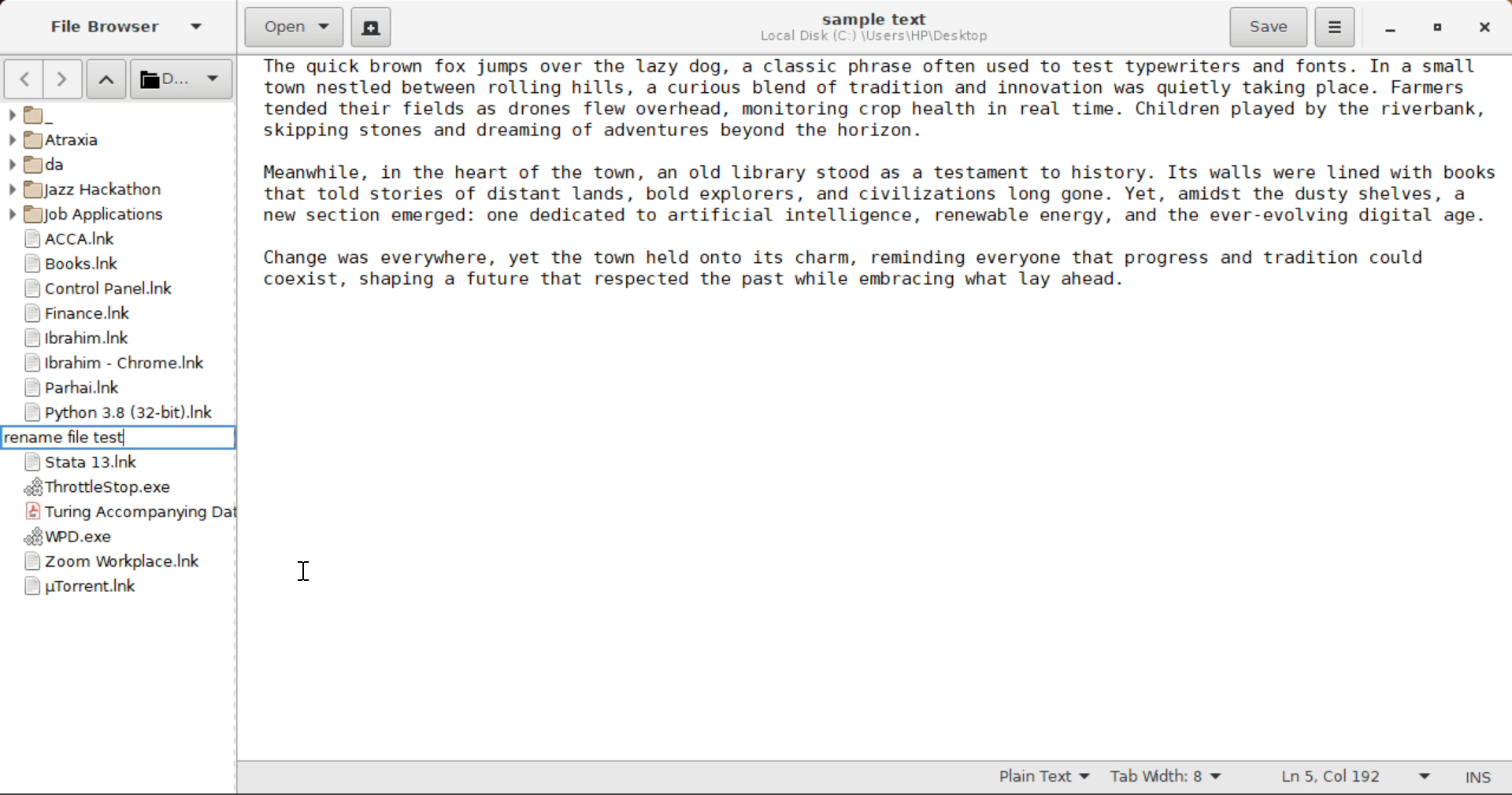 This screenshot has width=1512, height=795. What do you see at coordinates (107, 217) in the screenshot?
I see `Job Applications Folder` at bounding box center [107, 217].